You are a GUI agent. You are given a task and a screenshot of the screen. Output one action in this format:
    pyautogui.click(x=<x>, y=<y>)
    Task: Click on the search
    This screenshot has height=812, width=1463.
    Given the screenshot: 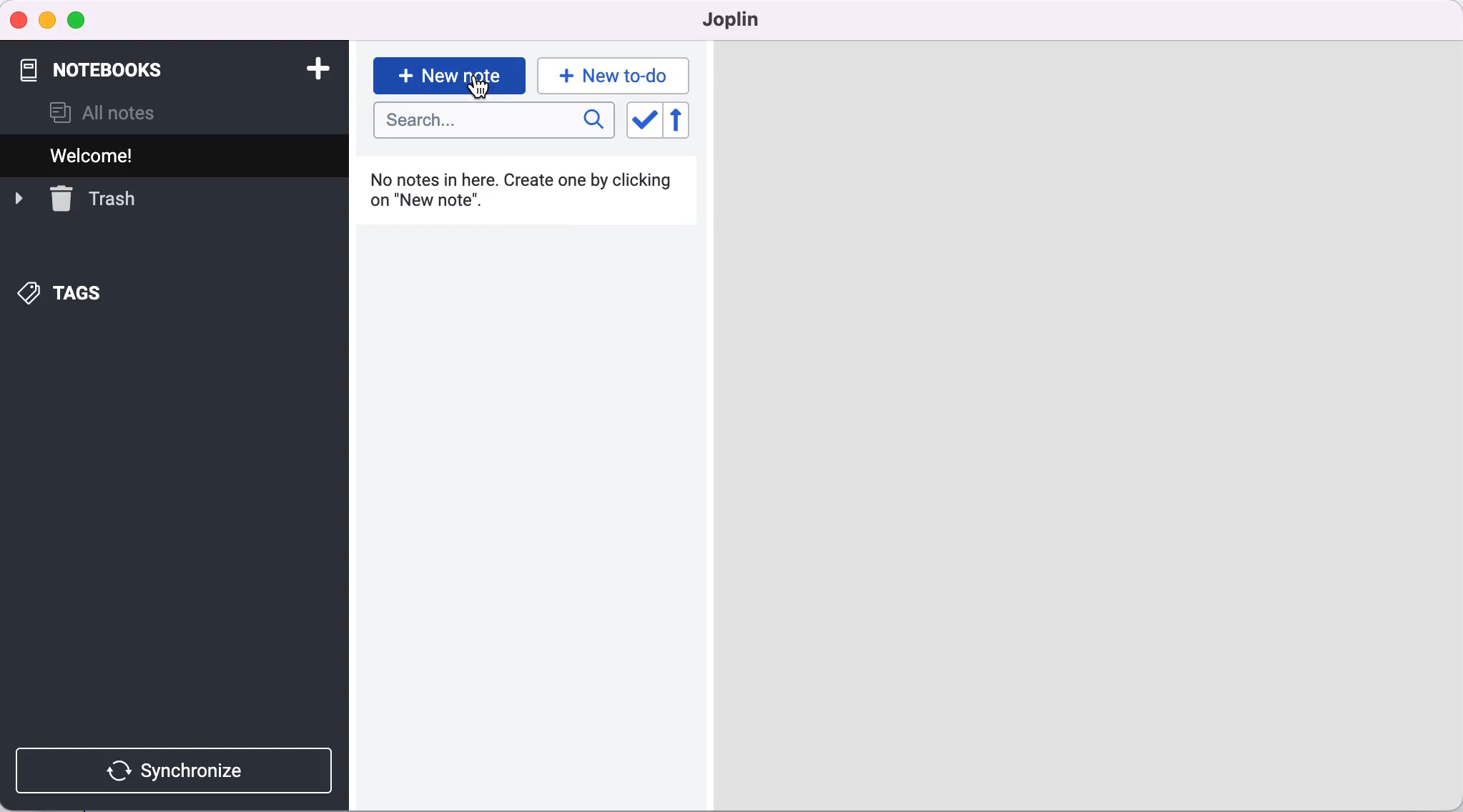 What is the action you would take?
    pyautogui.click(x=494, y=122)
    